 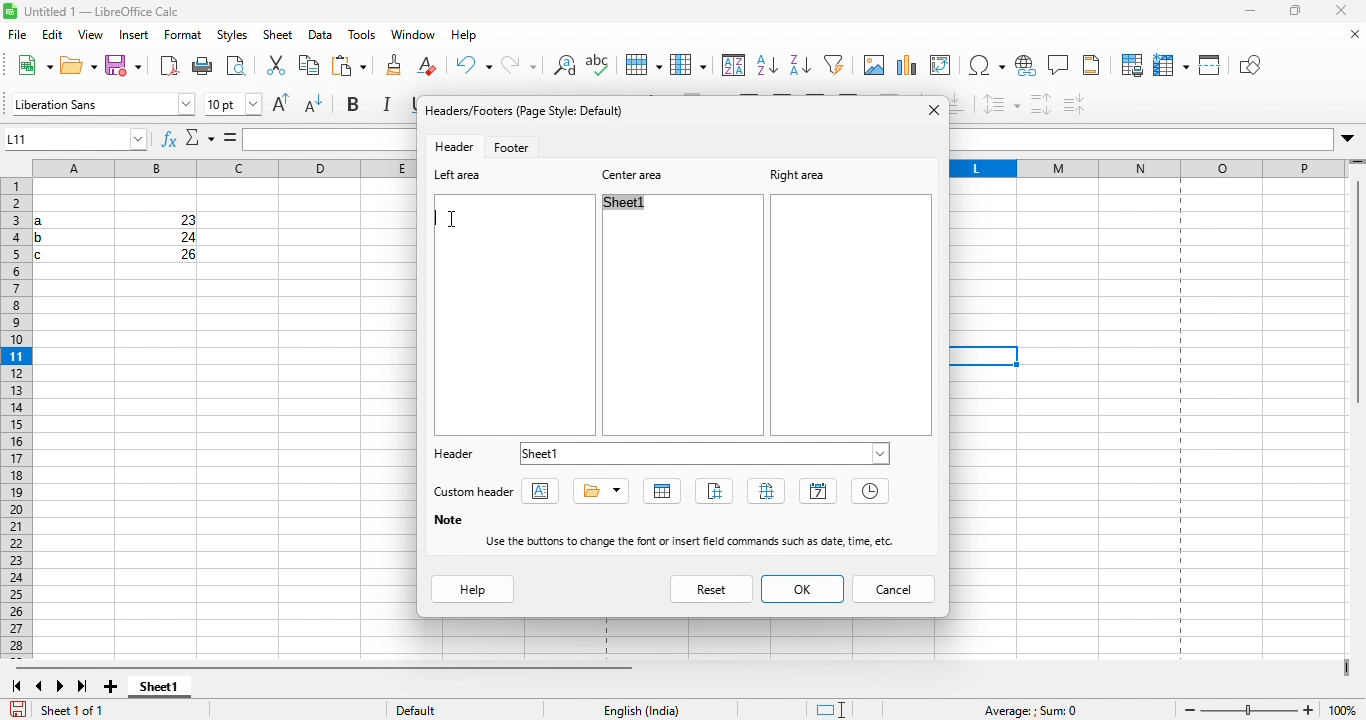 I want to click on show draw function, so click(x=1252, y=67).